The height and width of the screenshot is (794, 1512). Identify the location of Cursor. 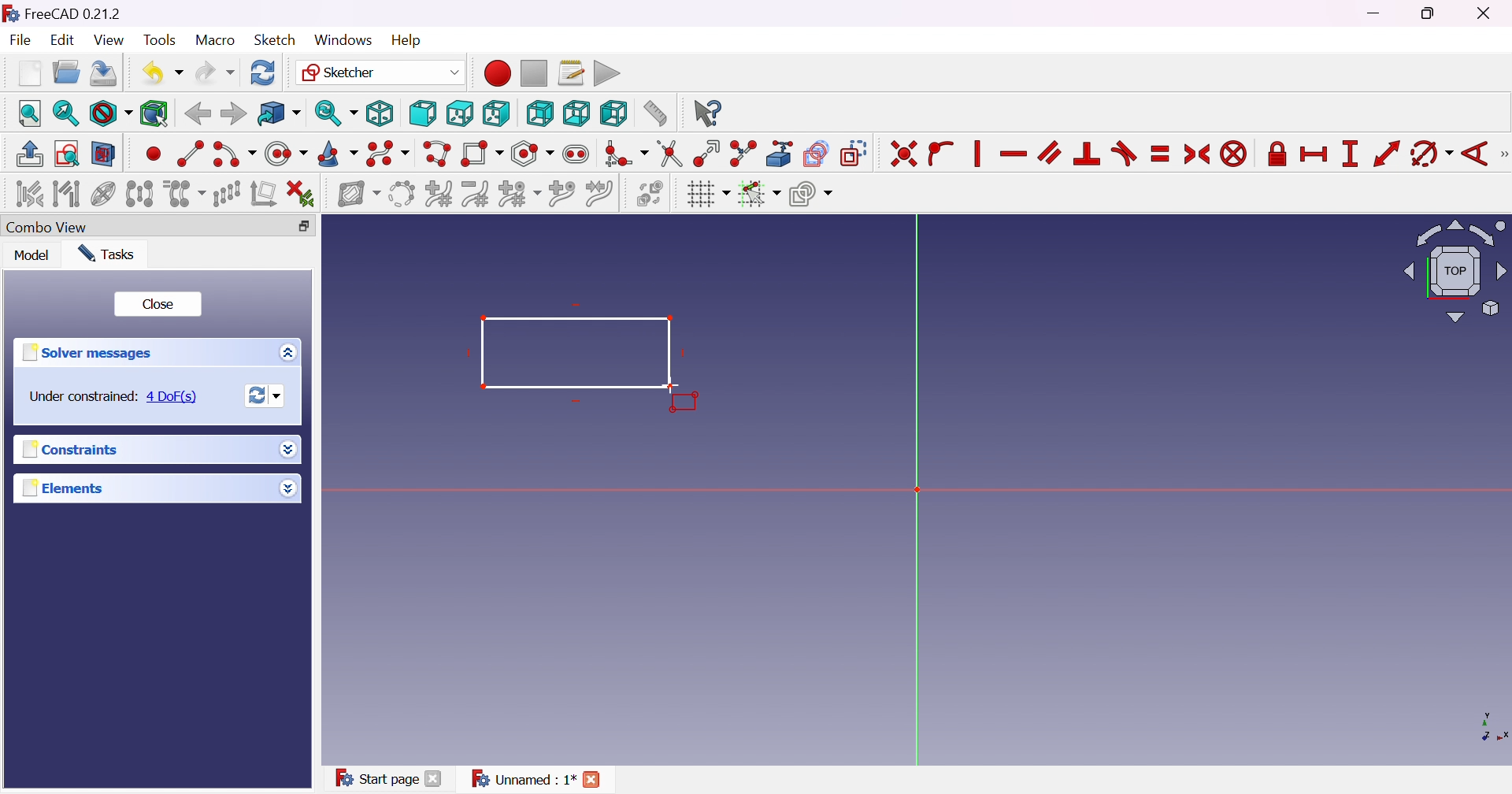
(669, 385).